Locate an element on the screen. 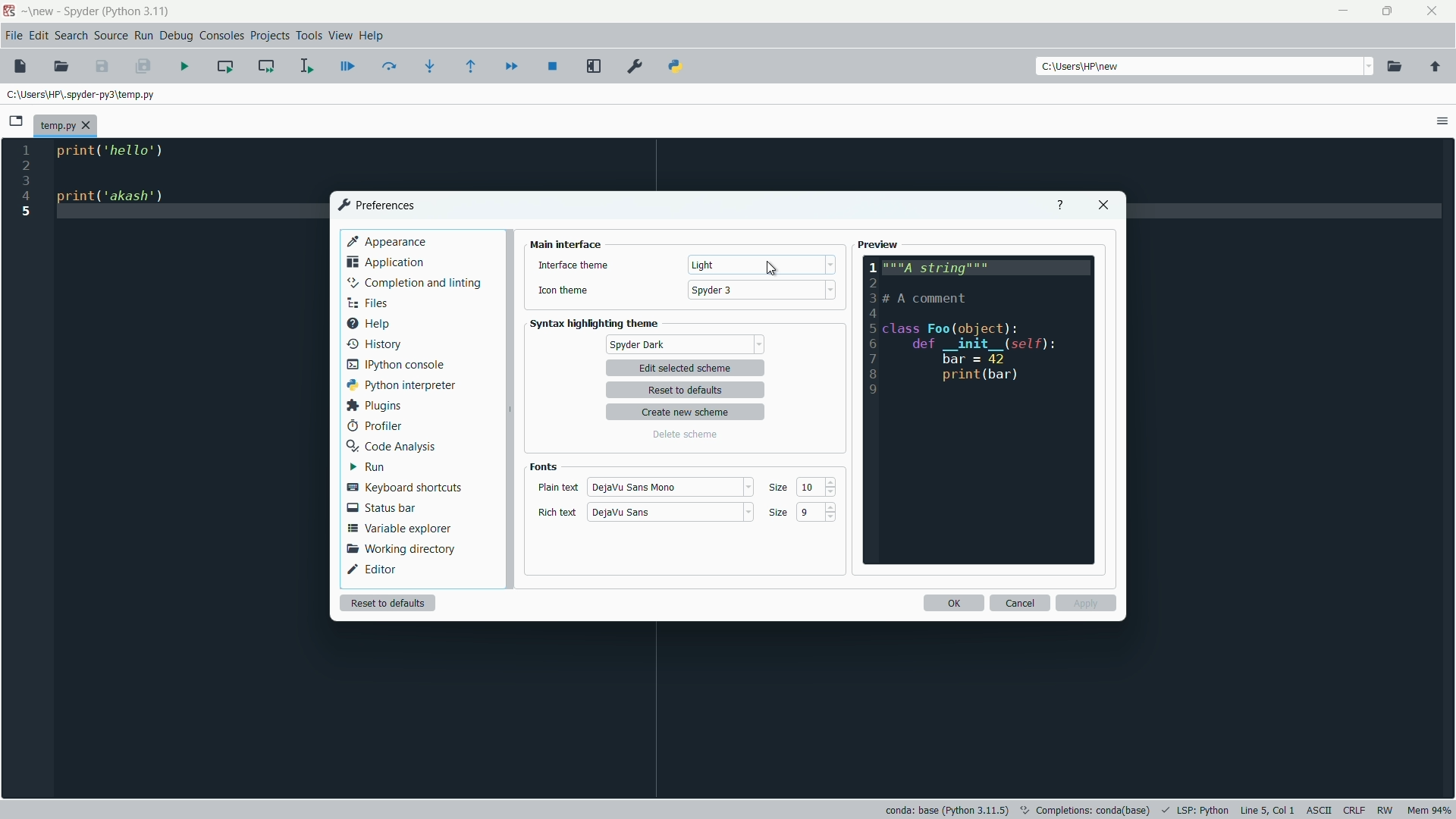  run selection is located at coordinates (306, 64).